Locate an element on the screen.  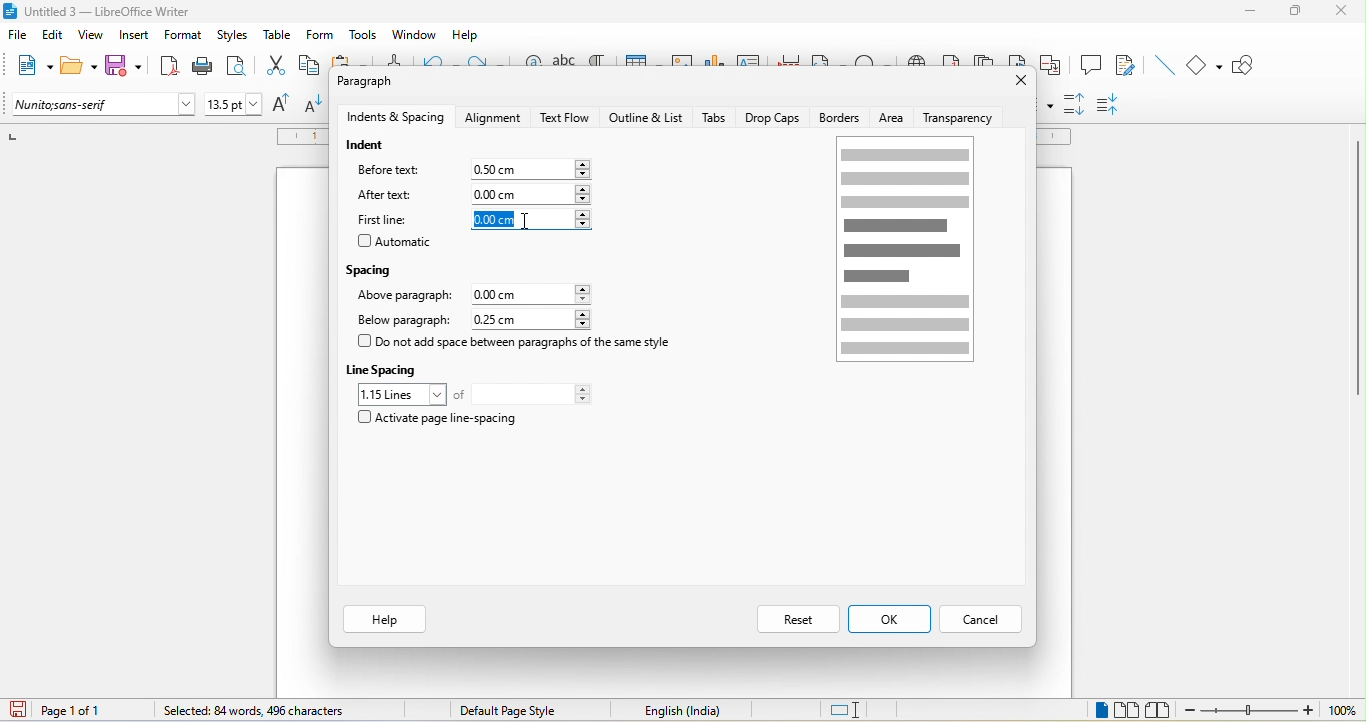
cursor movement is located at coordinates (526, 223).